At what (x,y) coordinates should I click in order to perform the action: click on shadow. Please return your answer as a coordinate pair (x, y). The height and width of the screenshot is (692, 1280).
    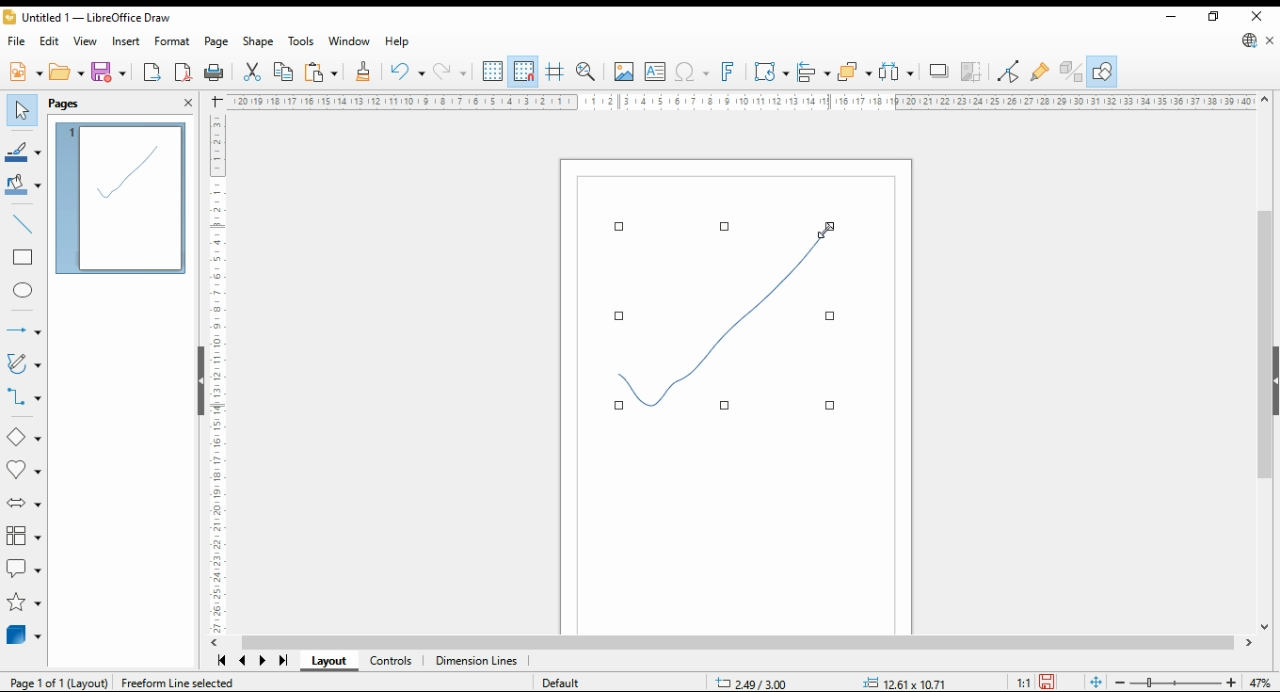
    Looking at the image, I should click on (937, 71).